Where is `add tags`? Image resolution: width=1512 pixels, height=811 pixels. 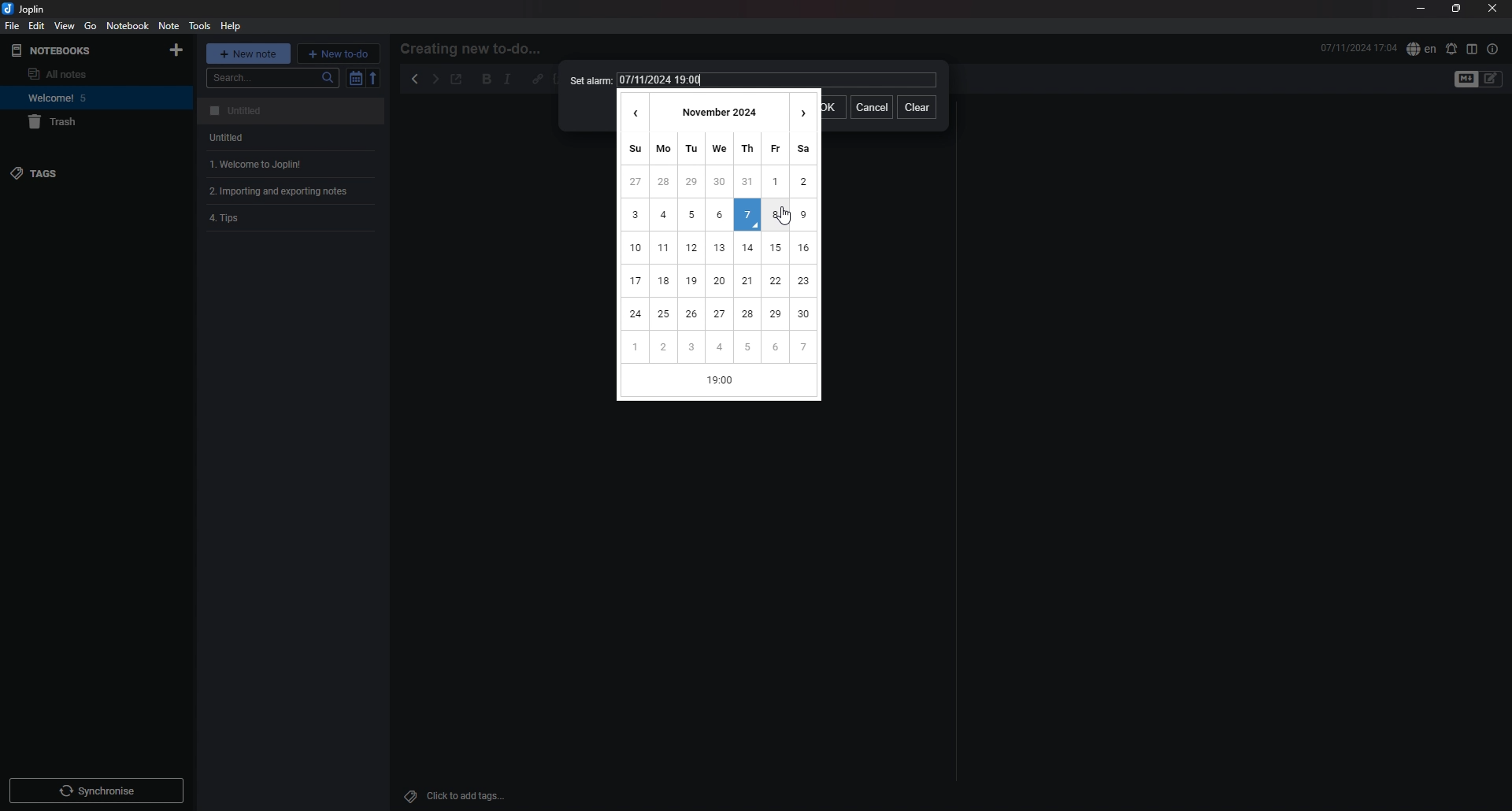 add tags is located at coordinates (457, 796).